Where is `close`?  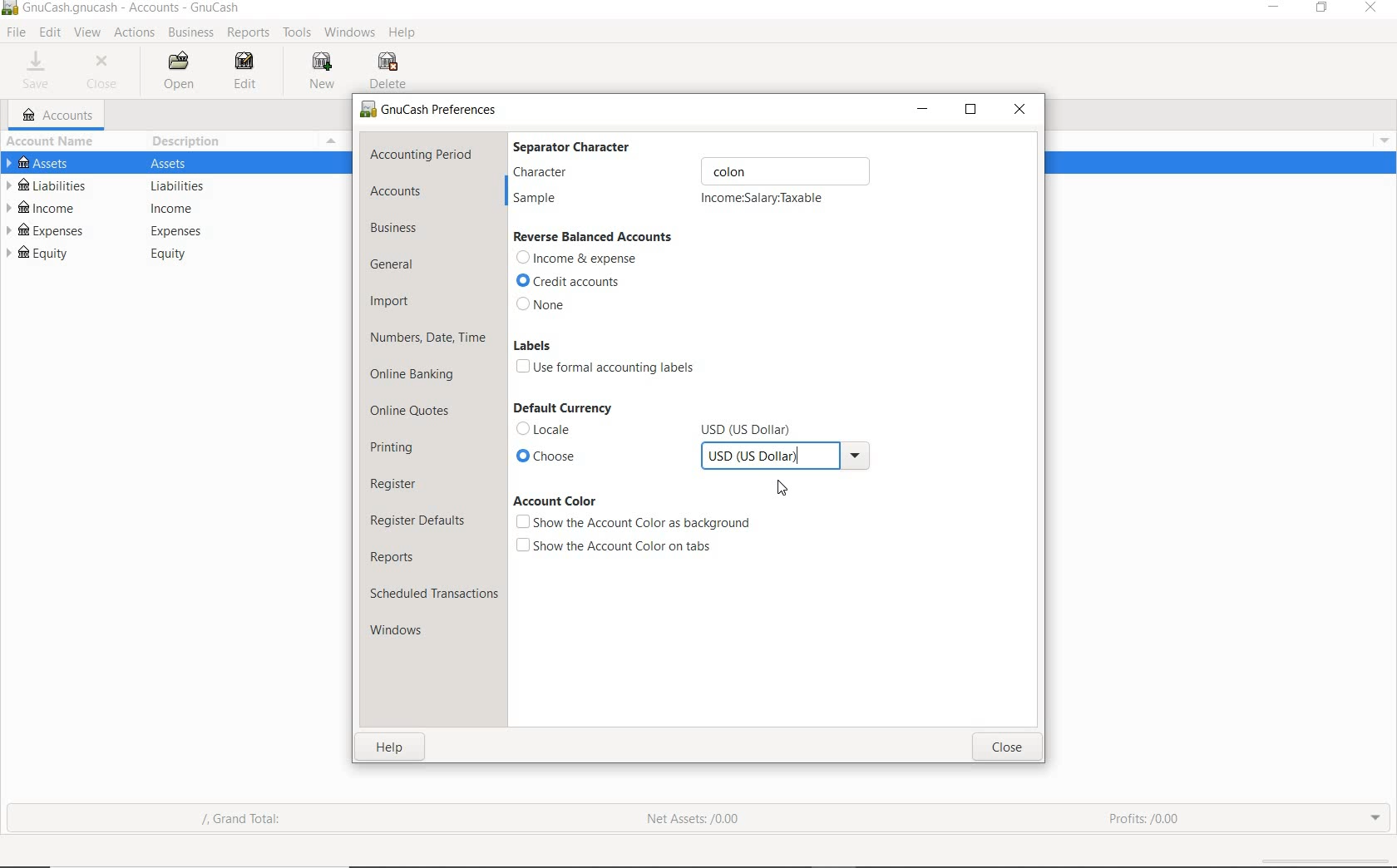 close is located at coordinates (1021, 108).